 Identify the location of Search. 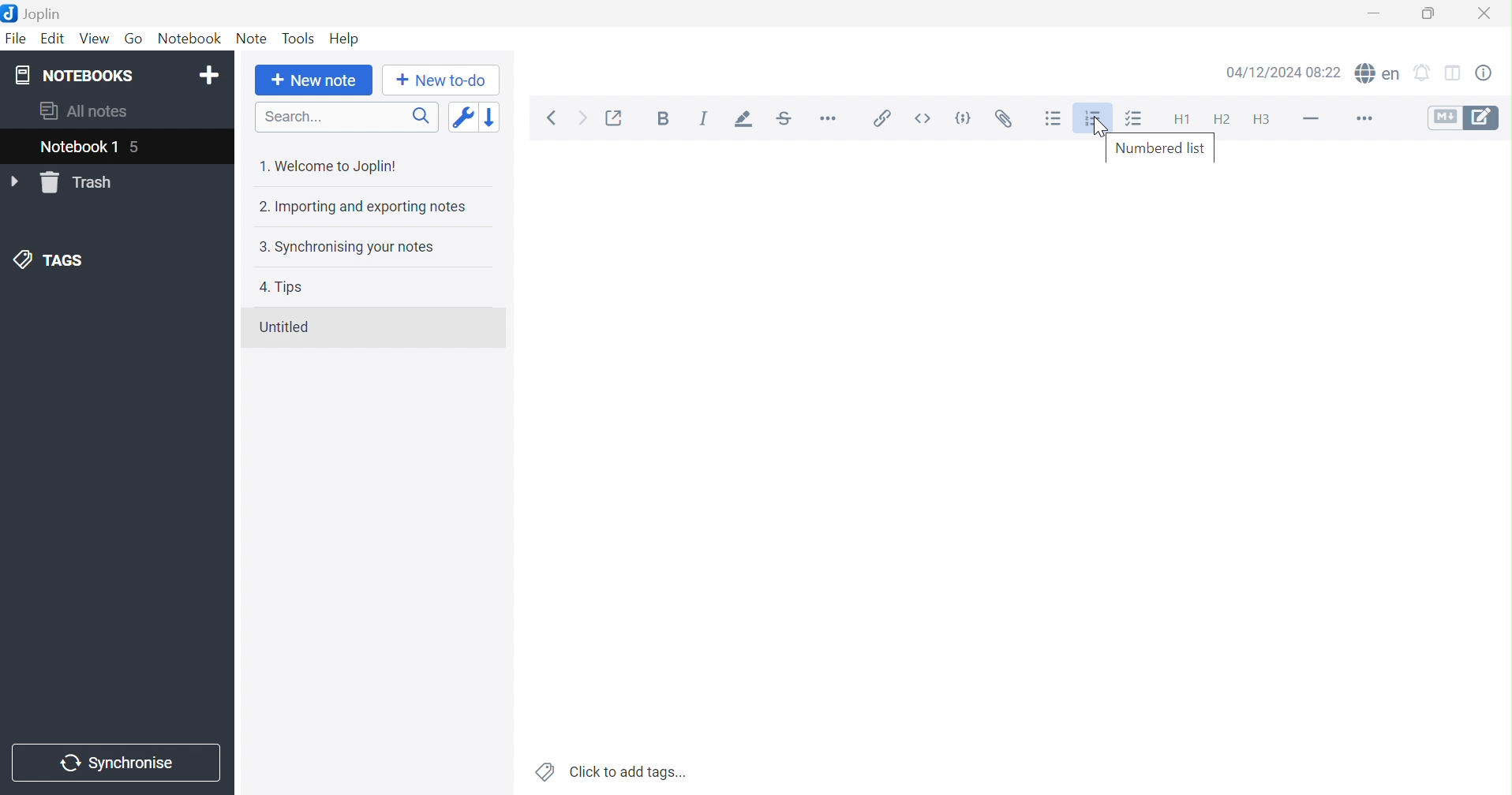
(346, 117).